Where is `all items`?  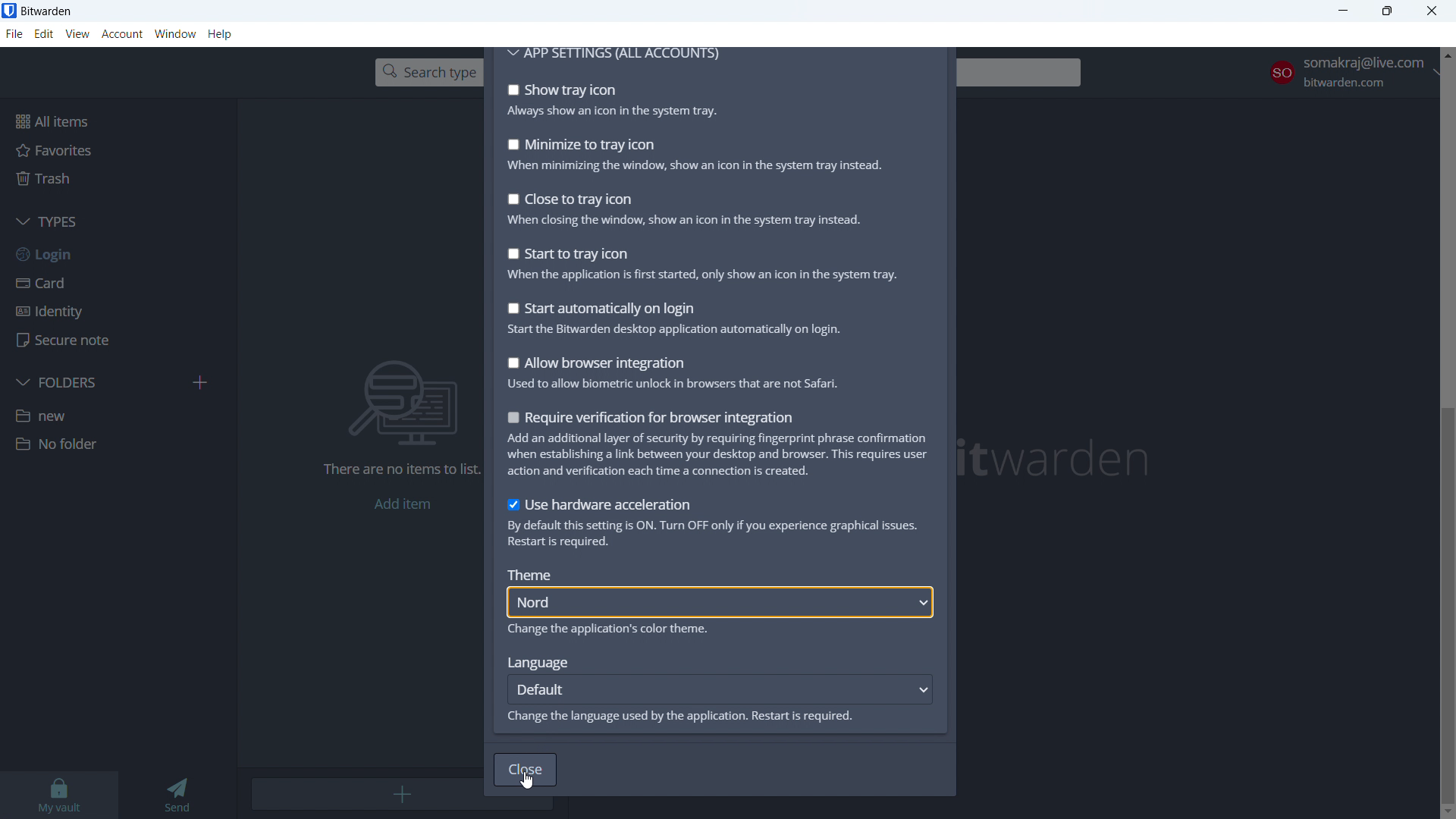
all items is located at coordinates (117, 120).